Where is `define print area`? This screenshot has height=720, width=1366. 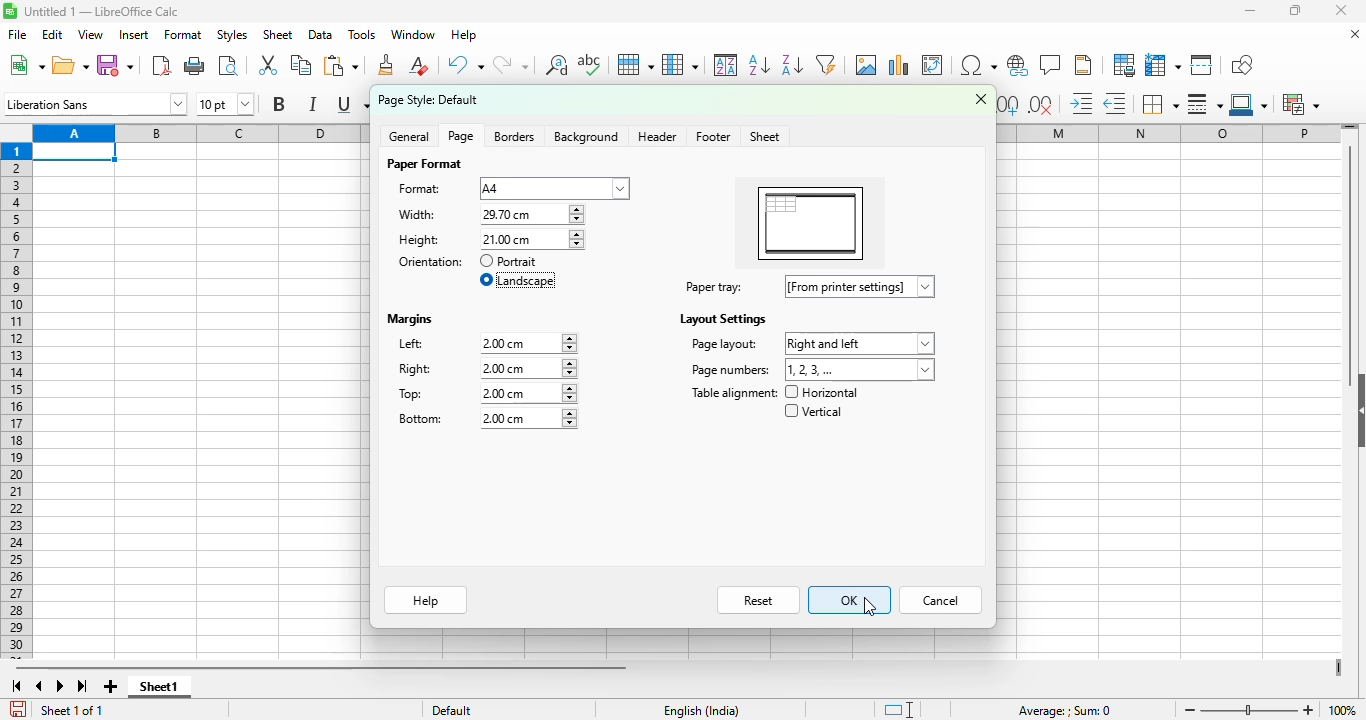 define print area is located at coordinates (1124, 65).